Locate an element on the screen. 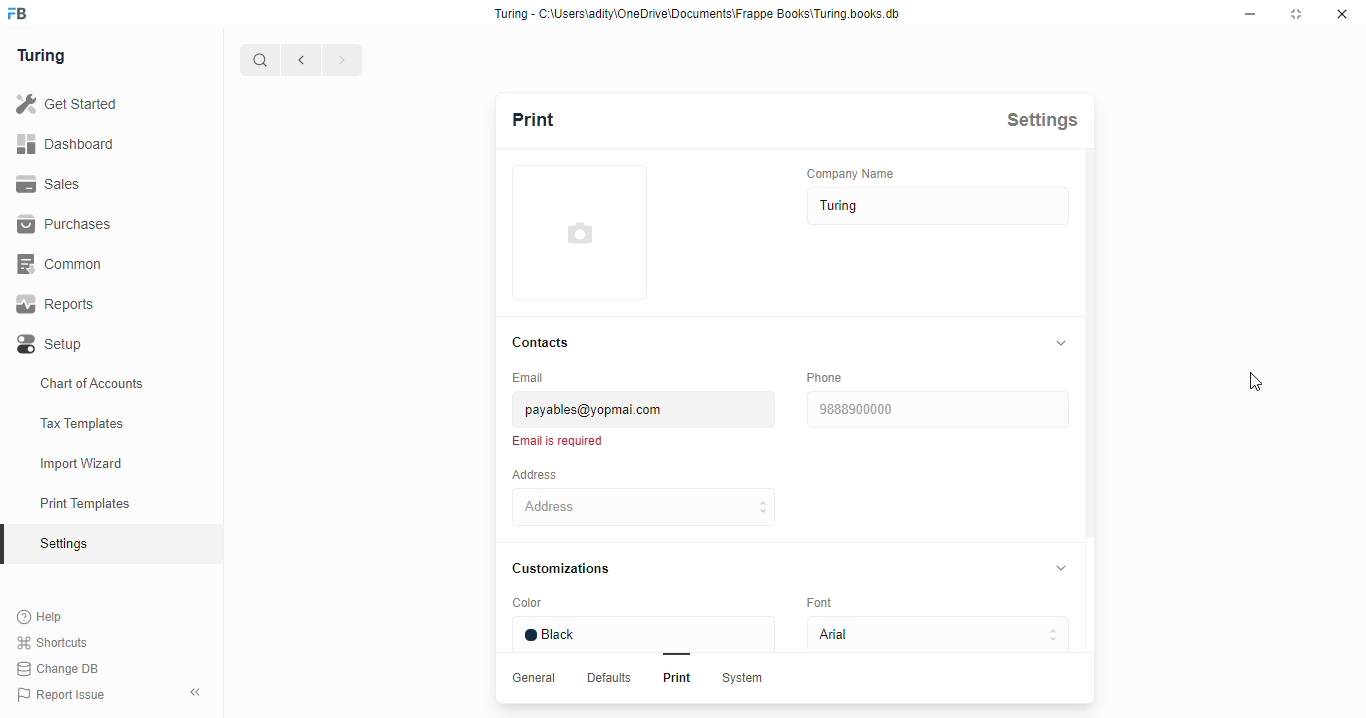  ‘Phone is located at coordinates (827, 377).